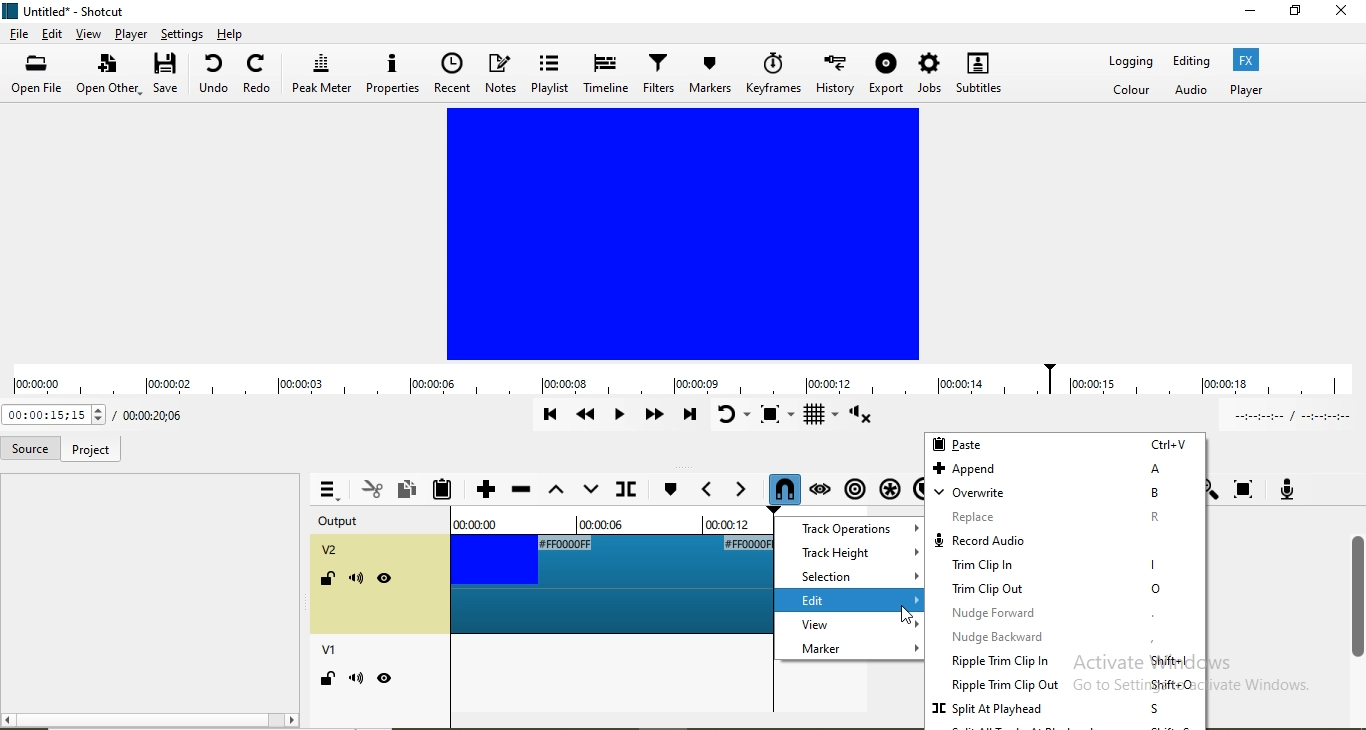  I want to click on Current position, so click(149, 416).